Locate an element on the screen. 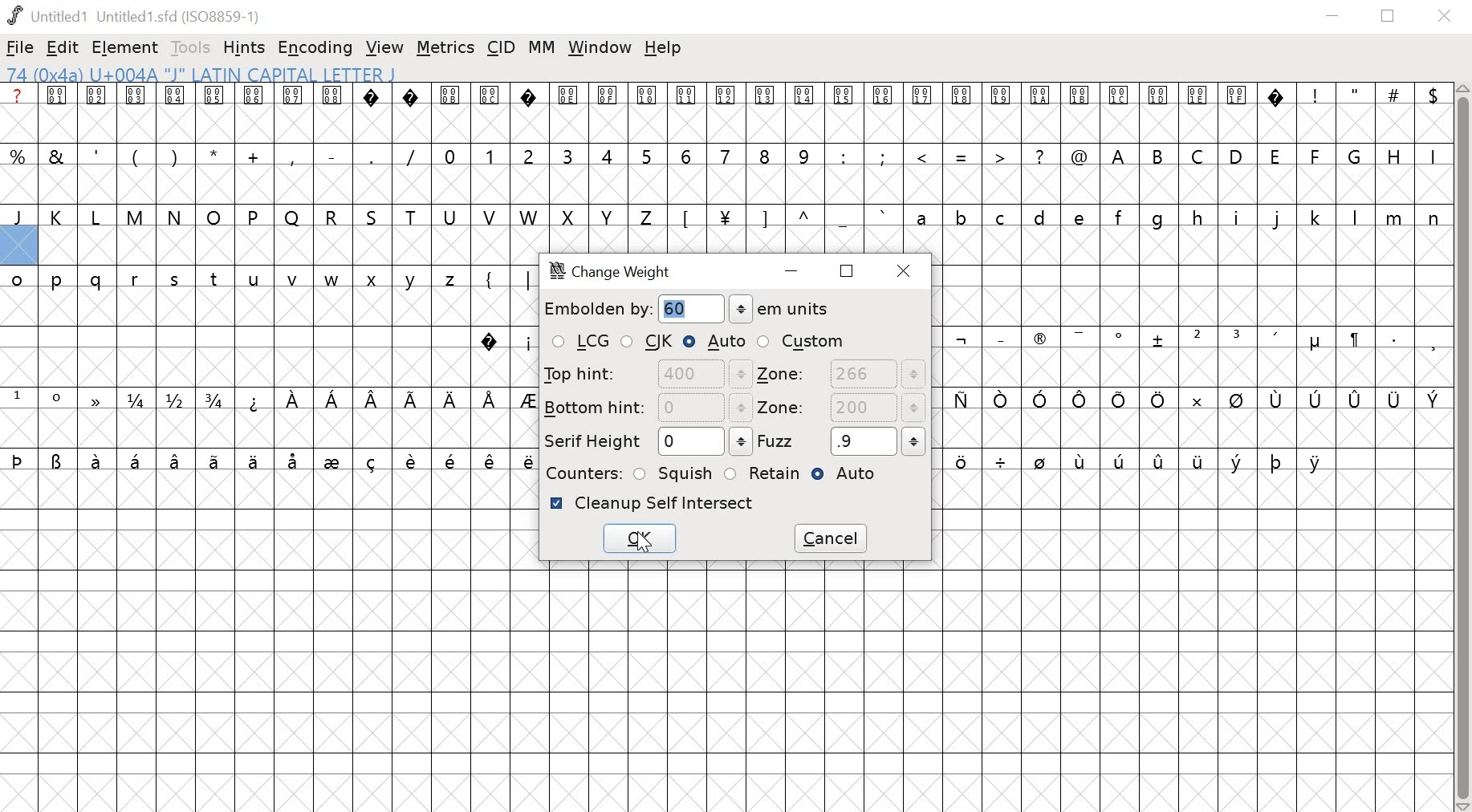 This screenshot has height=812, width=1472. help is located at coordinates (663, 48).